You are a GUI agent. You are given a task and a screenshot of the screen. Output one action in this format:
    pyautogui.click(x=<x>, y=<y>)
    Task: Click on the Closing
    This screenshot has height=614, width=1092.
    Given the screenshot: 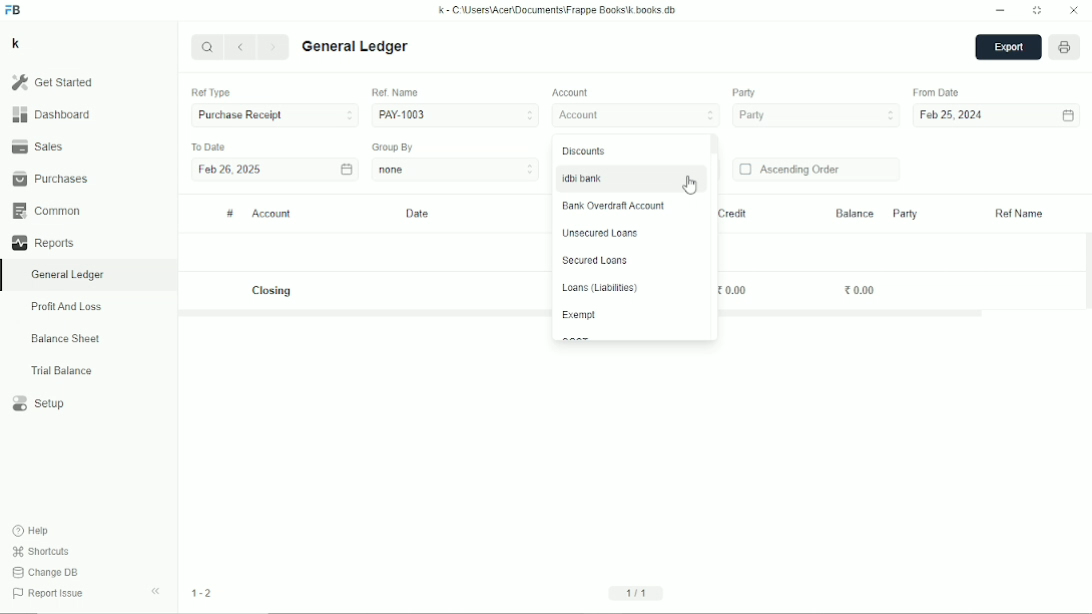 What is the action you would take?
    pyautogui.click(x=274, y=291)
    